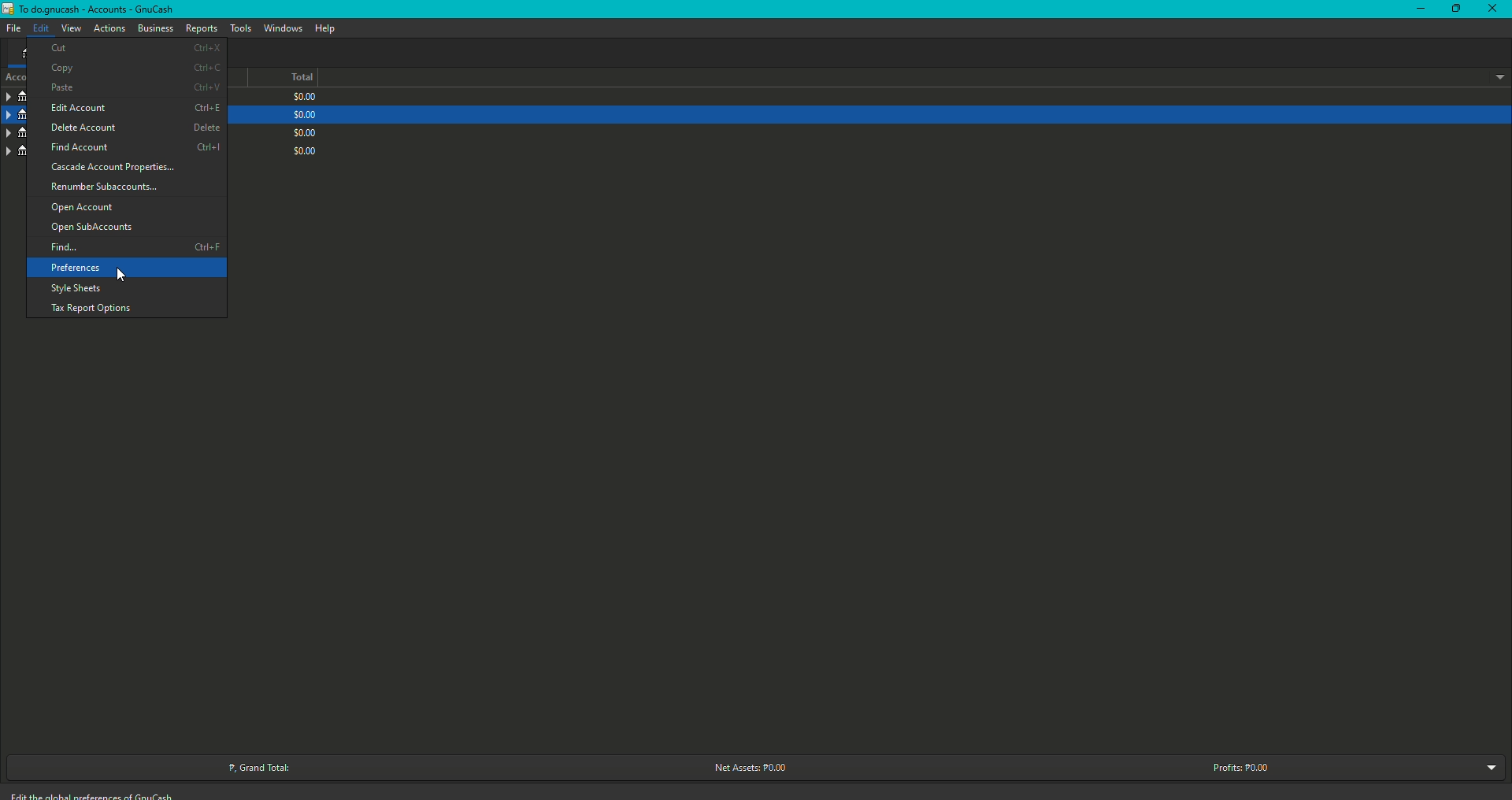 The height and width of the screenshot is (800, 1512). What do you see at coordinates (135, 50) in the screenshot?
I see `Cut` at bounding box center [135, 50].